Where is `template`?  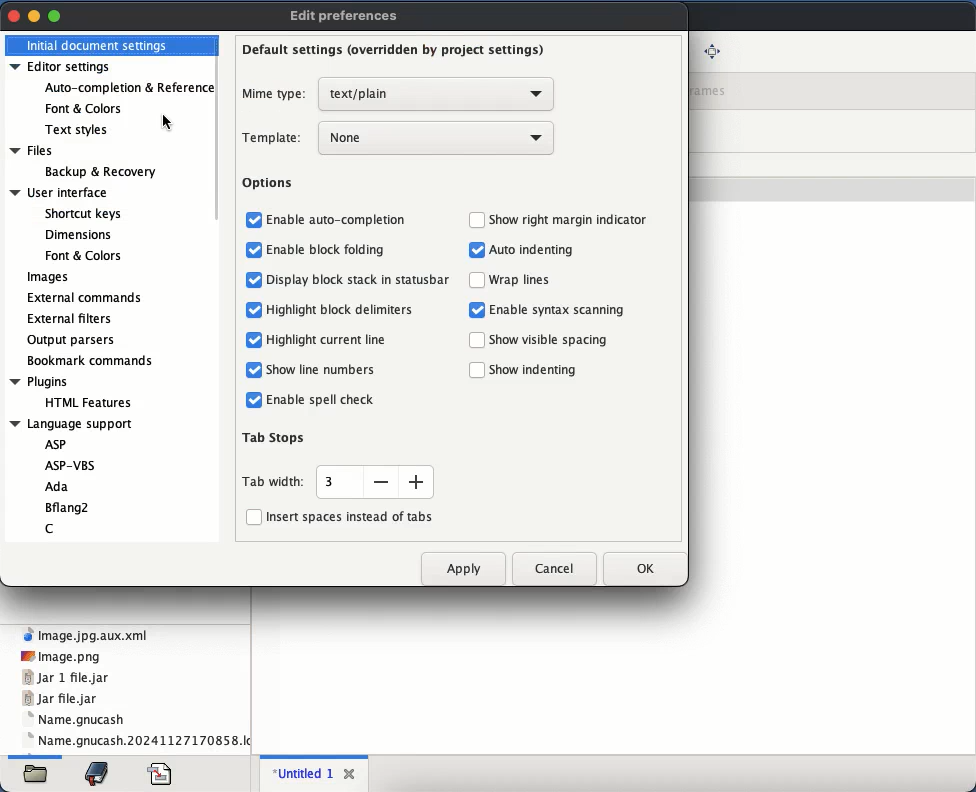
template is located at coordinates (273, 138).